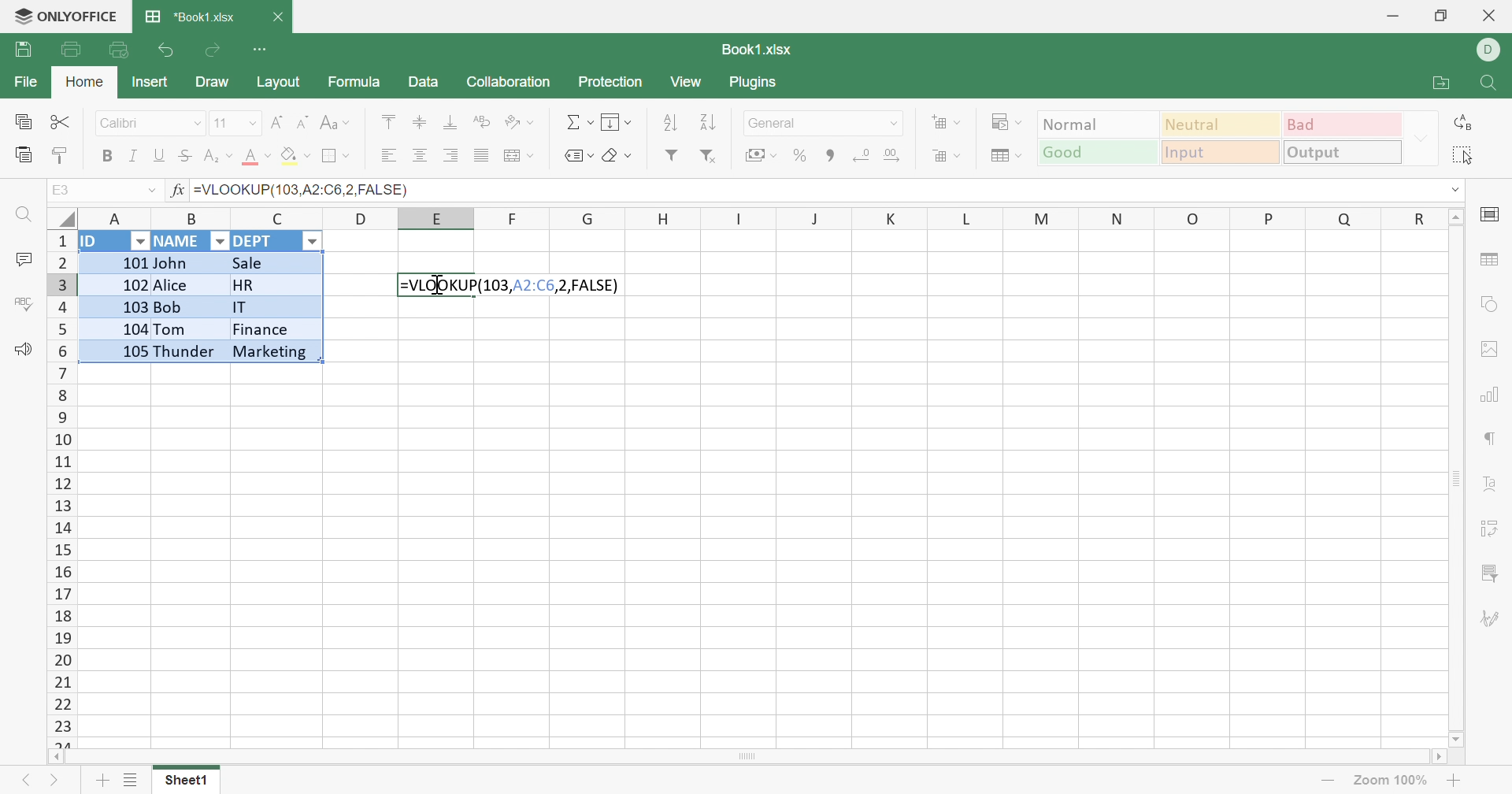 The image size is (1512, 794). I want to click on Good, so click(1098, 155).